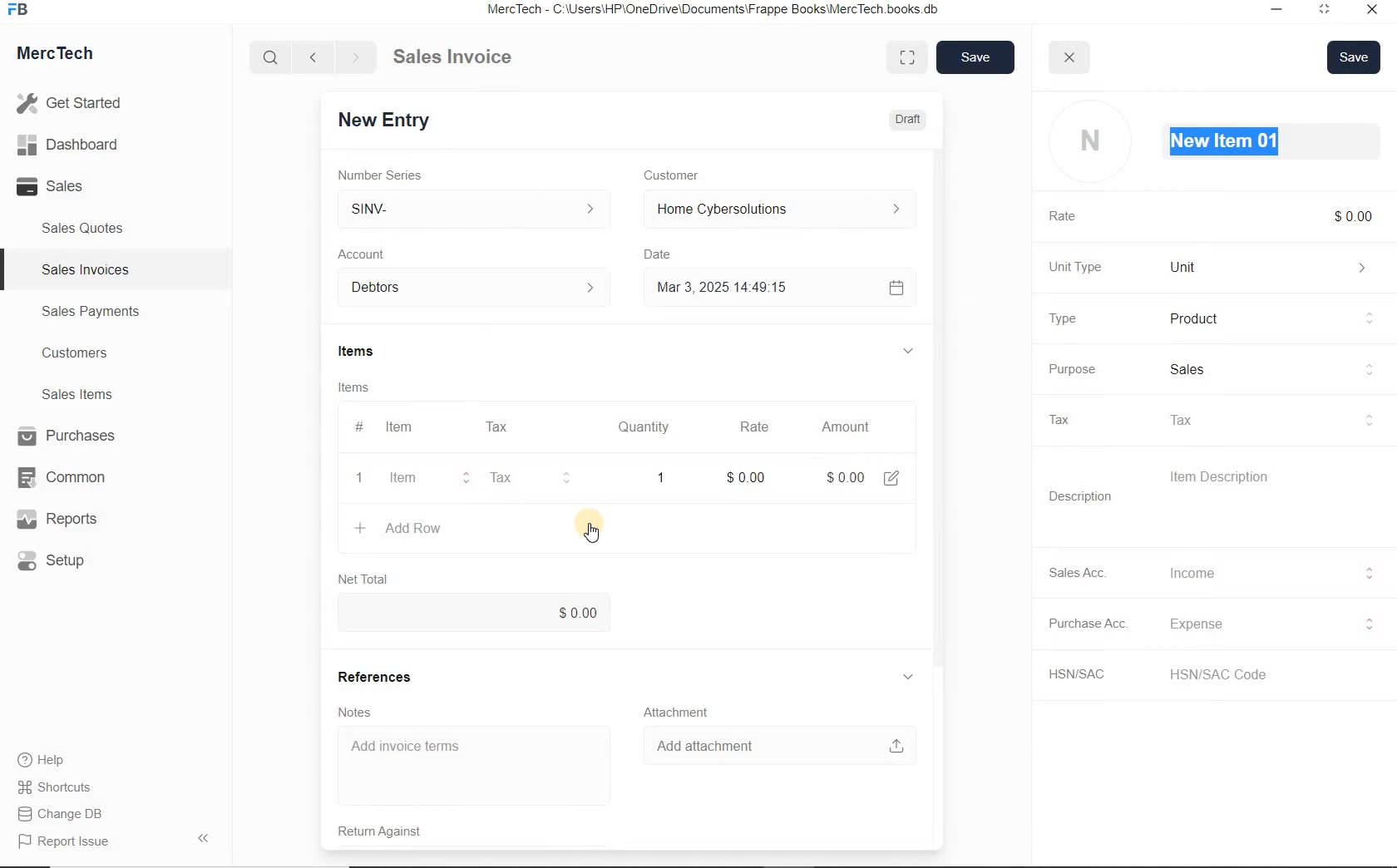  I want to click on Unit Type, so click(1079, 267).